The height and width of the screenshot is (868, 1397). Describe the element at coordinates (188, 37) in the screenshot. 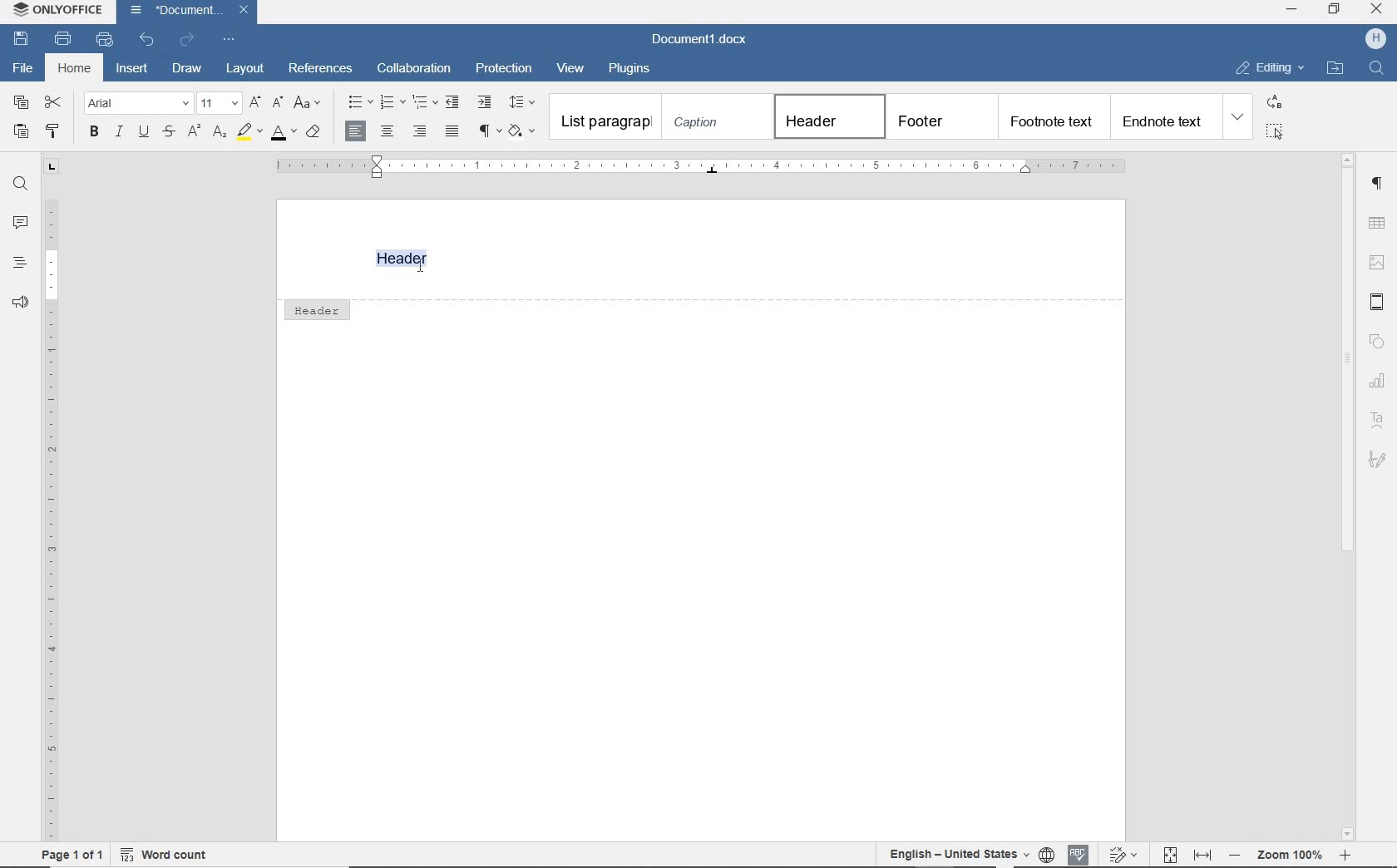

I see `reload` at that location.